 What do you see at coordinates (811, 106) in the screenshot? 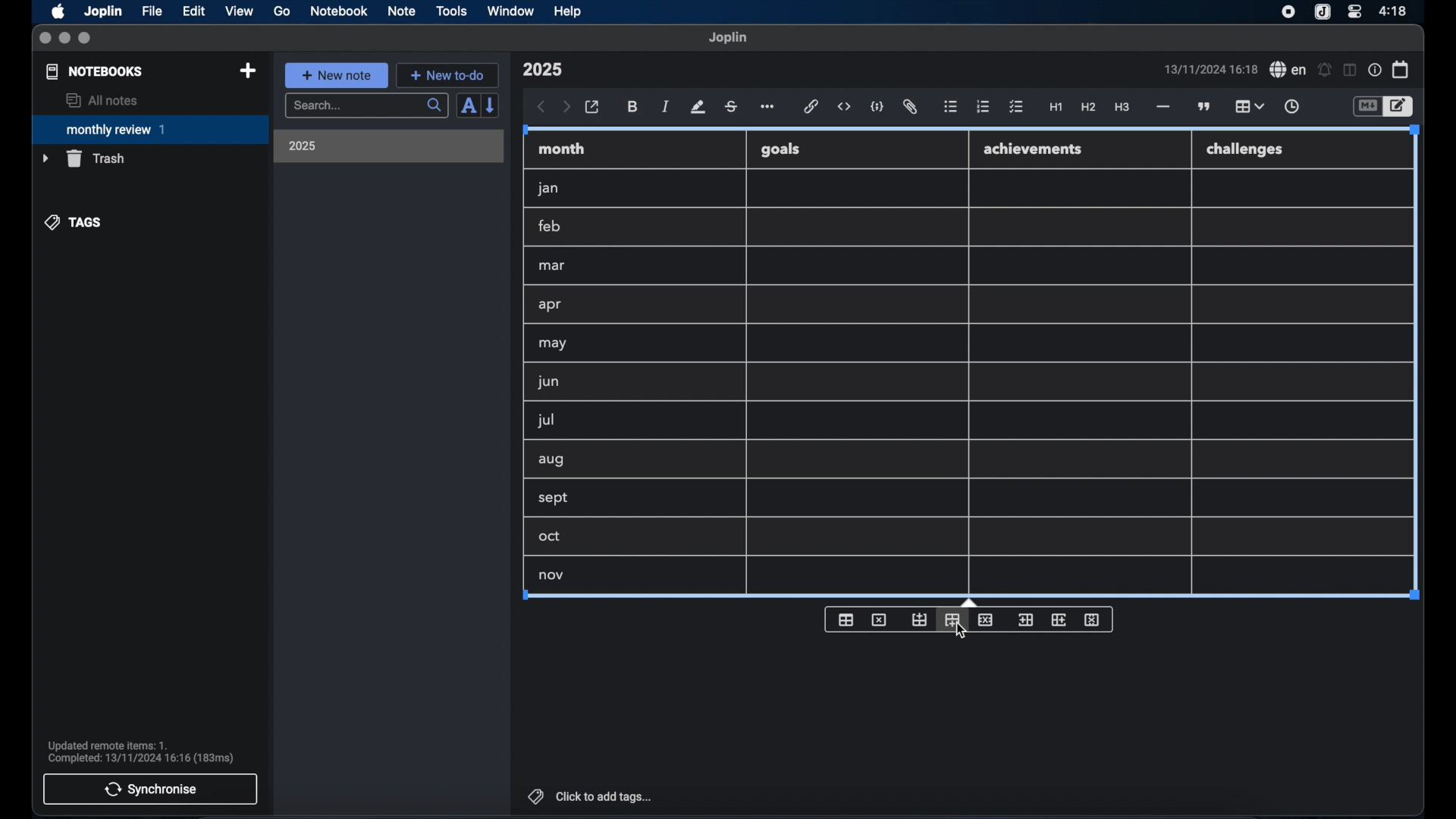
I see `hyperlink` at bounding box center [811, 106].